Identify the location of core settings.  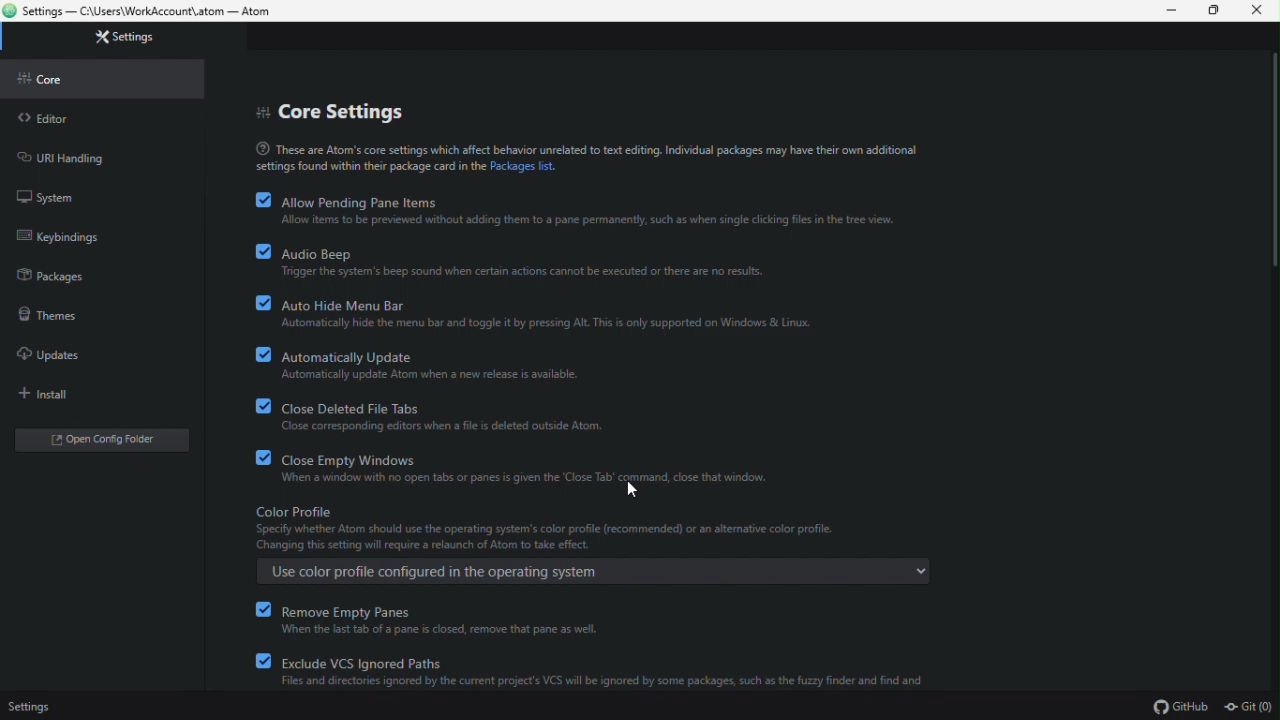
(330, 109).